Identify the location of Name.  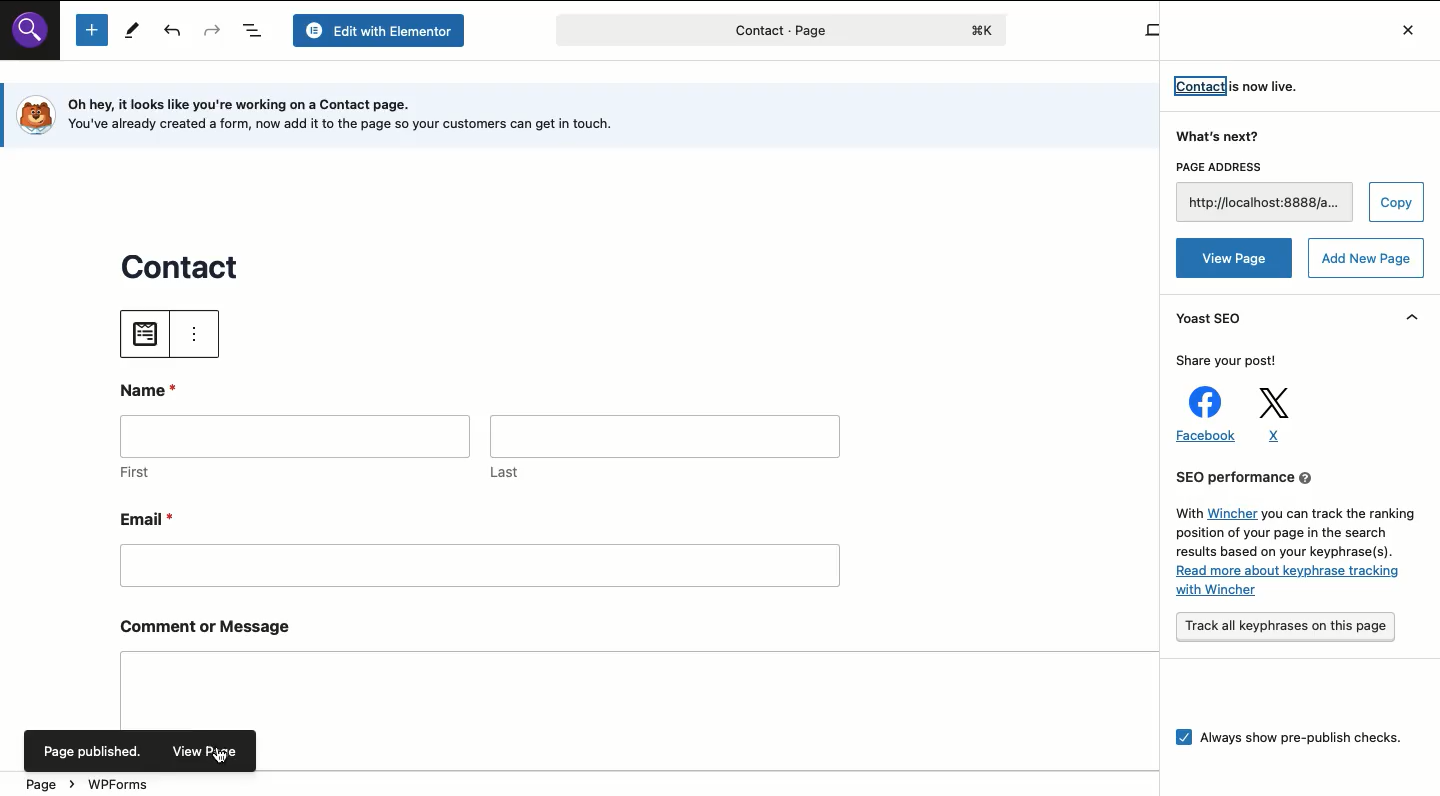
(153, 388).